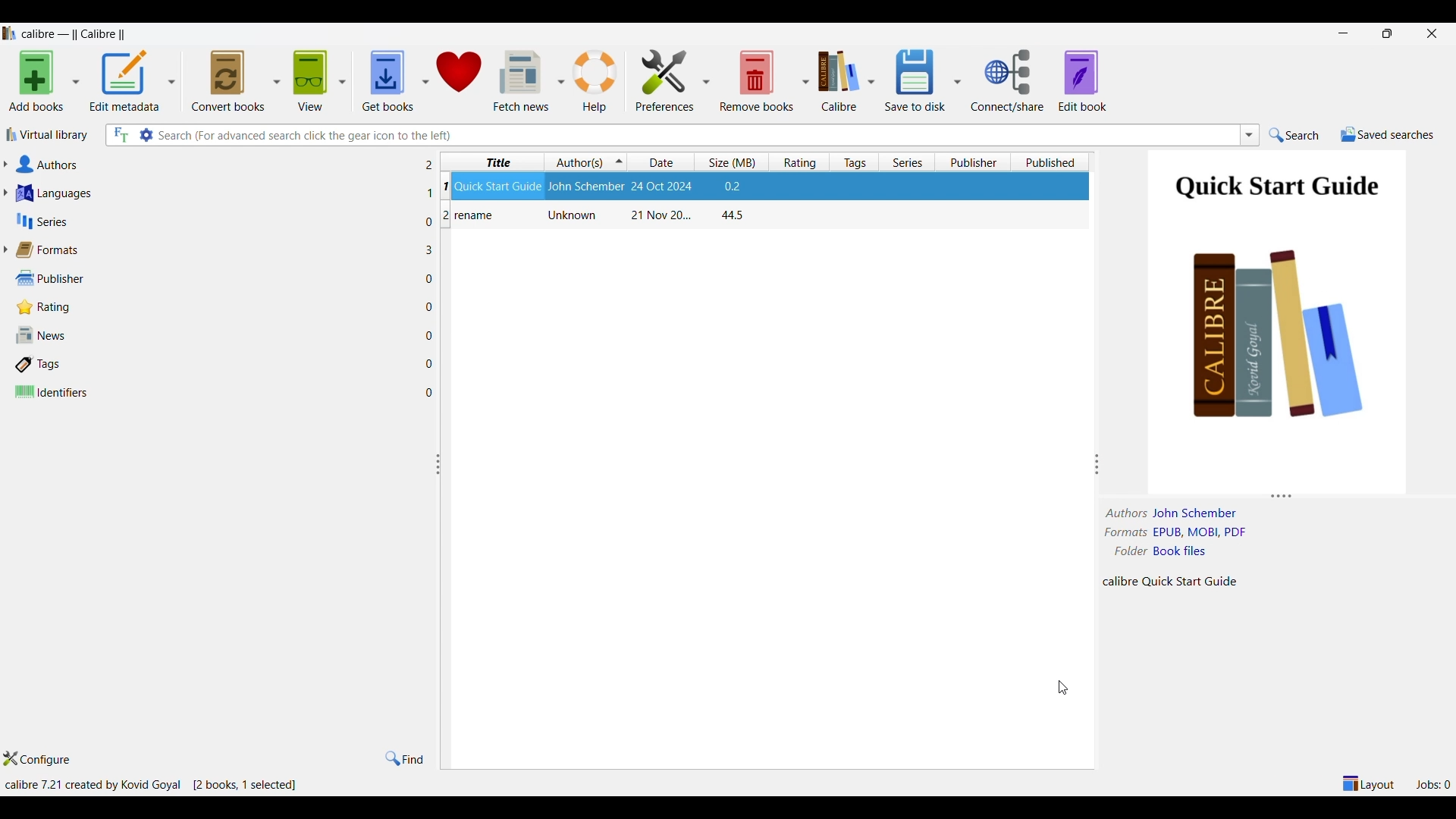  What do you see at coordinates (585, 162) in the screenshot?
I see `Author(s) column, current sorting` at bounding box center [585, 162].